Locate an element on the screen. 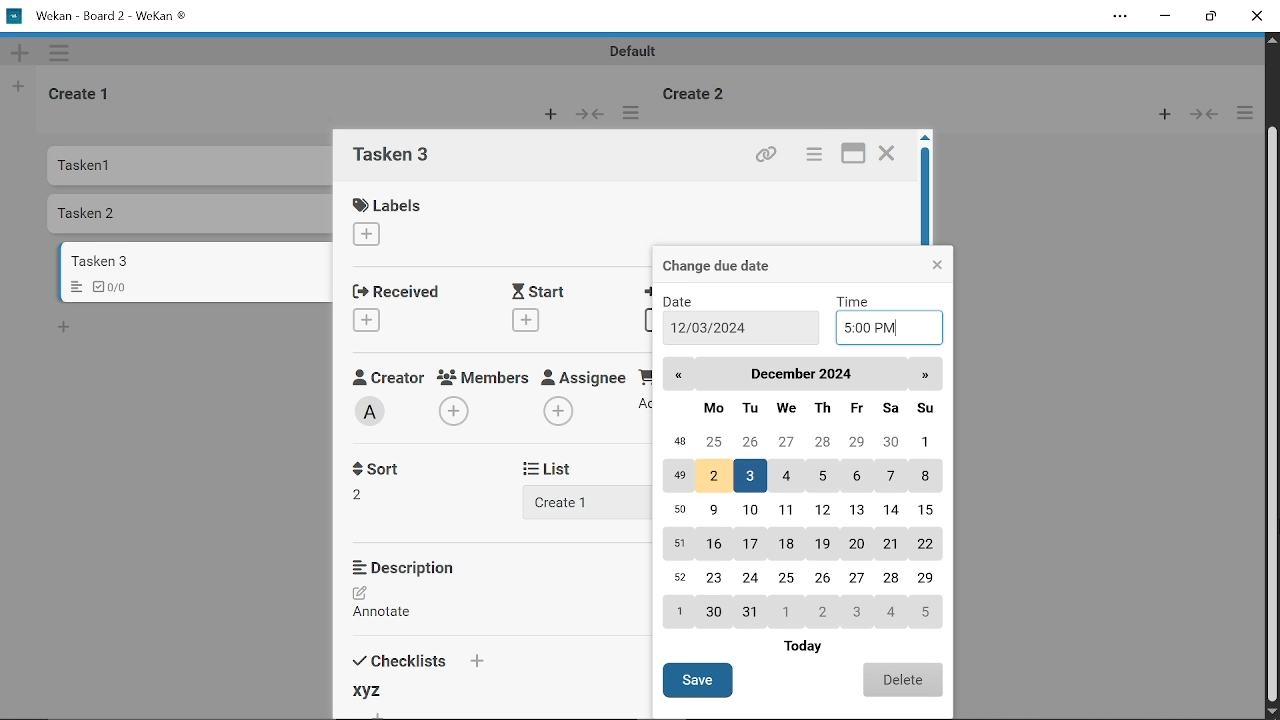 This screenshot has height=720, width=1280. Add start date is located at coordinates (524, 319).